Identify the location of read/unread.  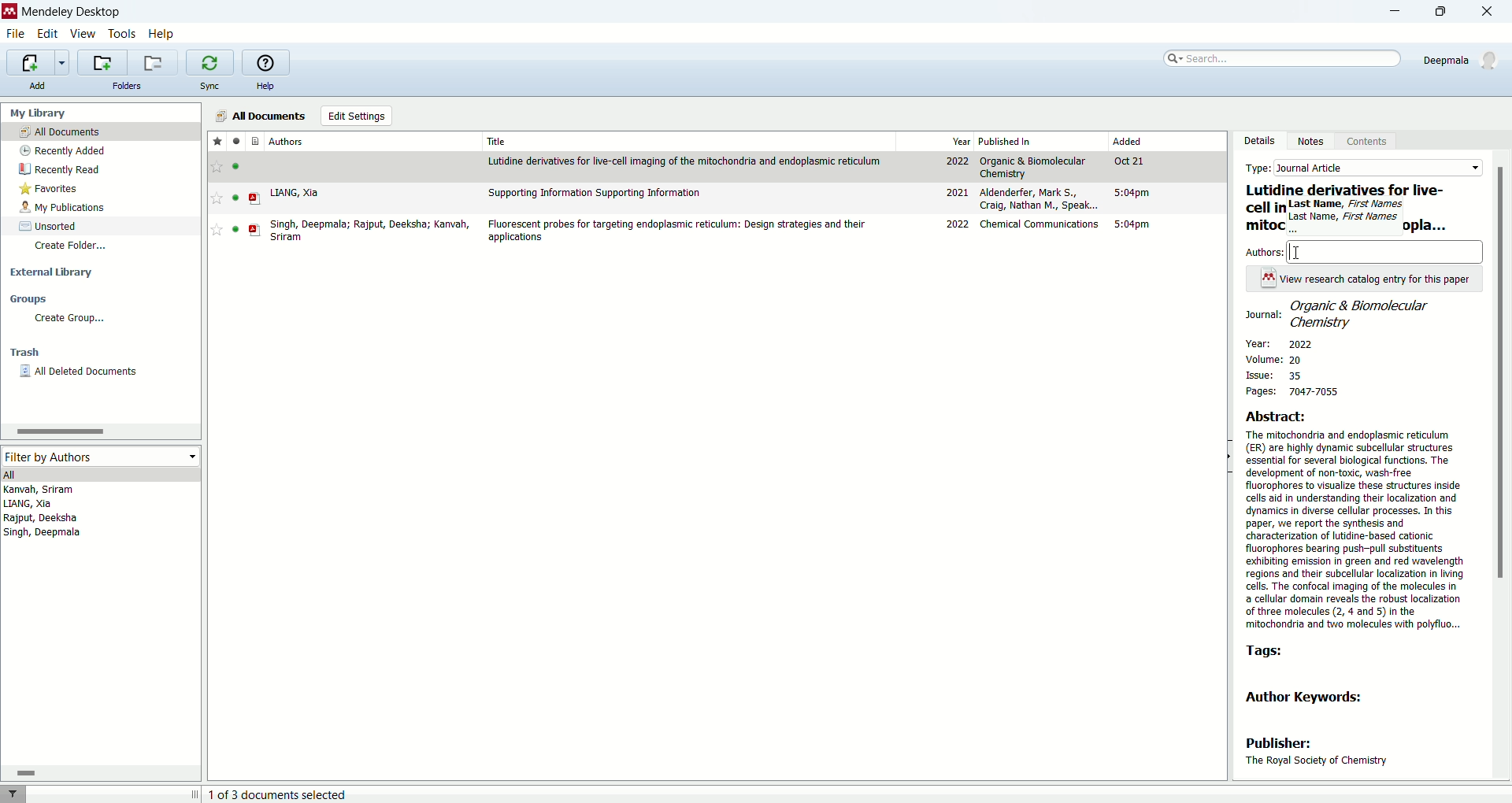
(239, 198).